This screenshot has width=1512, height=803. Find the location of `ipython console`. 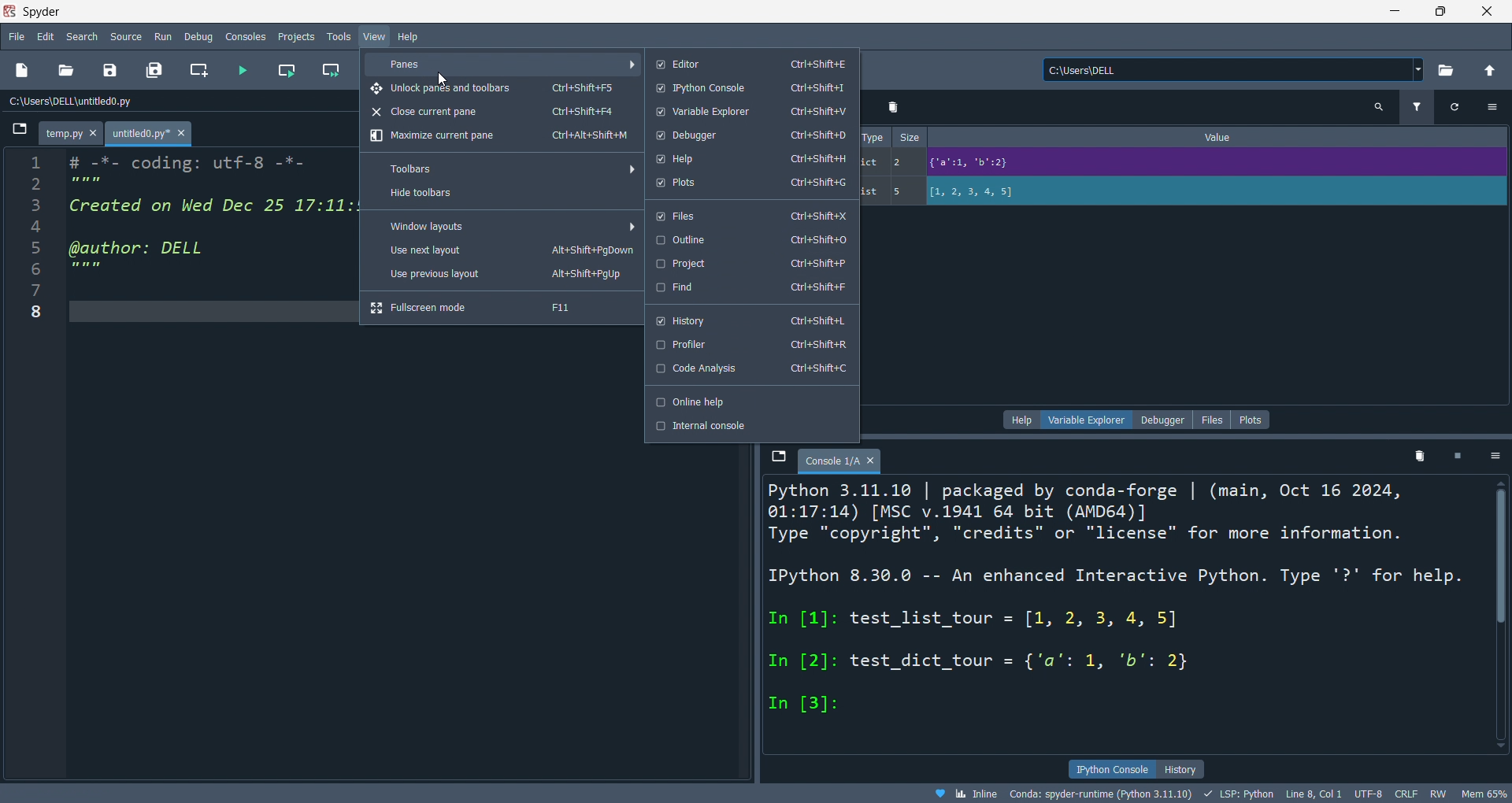

ipython console is located at coordinates (1114, 770).